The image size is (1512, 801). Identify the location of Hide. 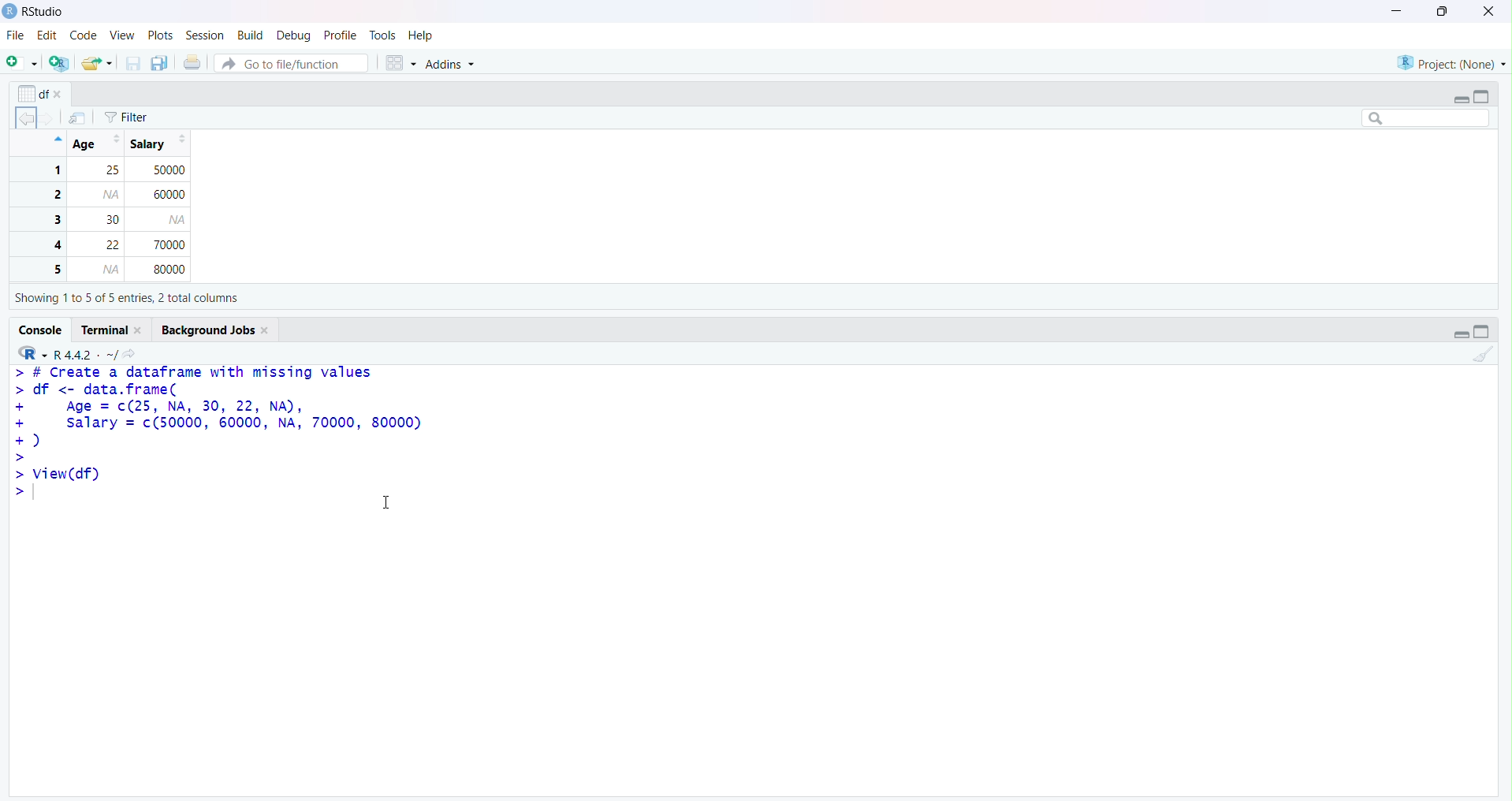
(54, 141).